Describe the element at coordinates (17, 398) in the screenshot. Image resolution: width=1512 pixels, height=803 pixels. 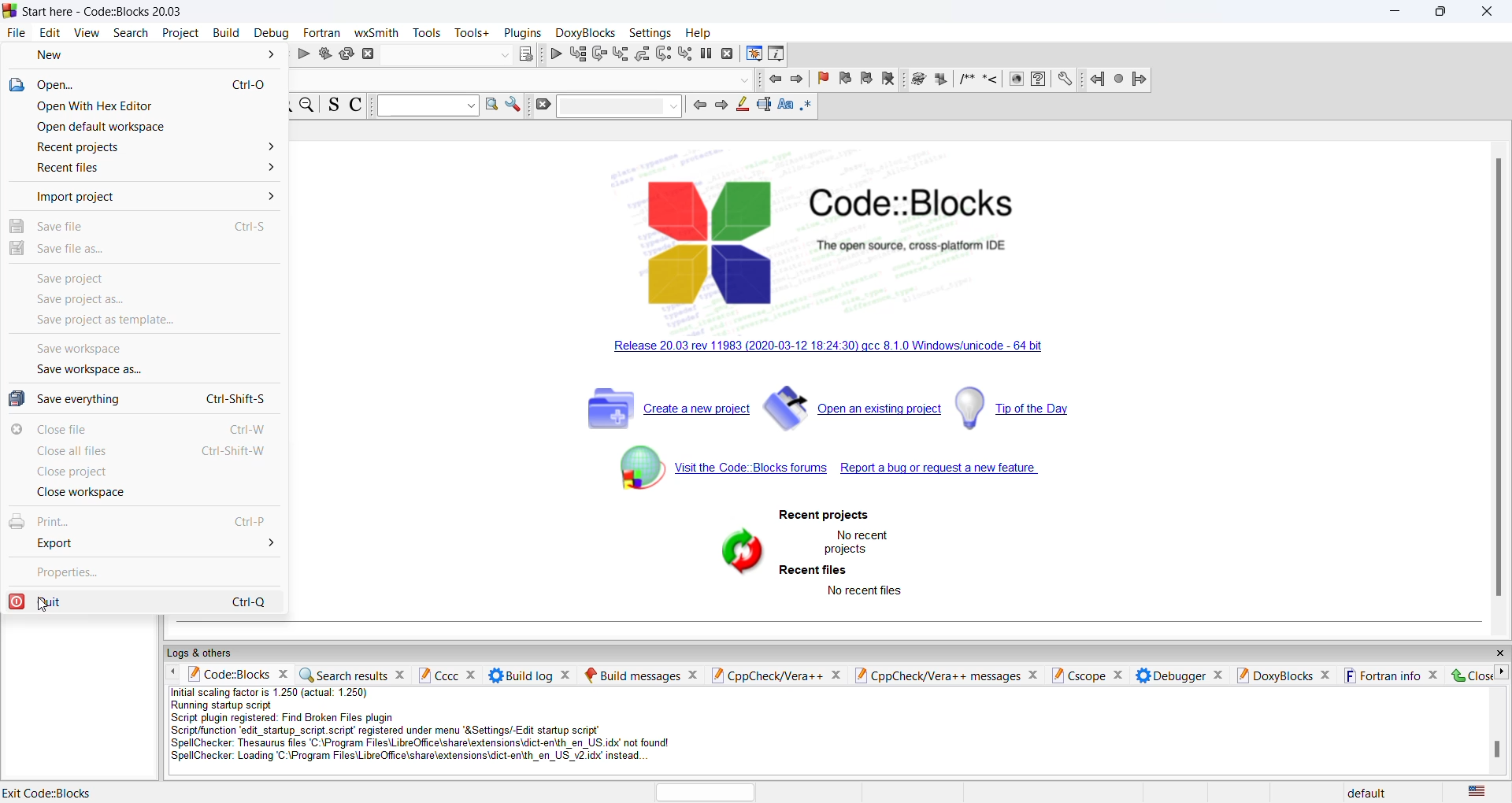
I see `save all icon` at that location.